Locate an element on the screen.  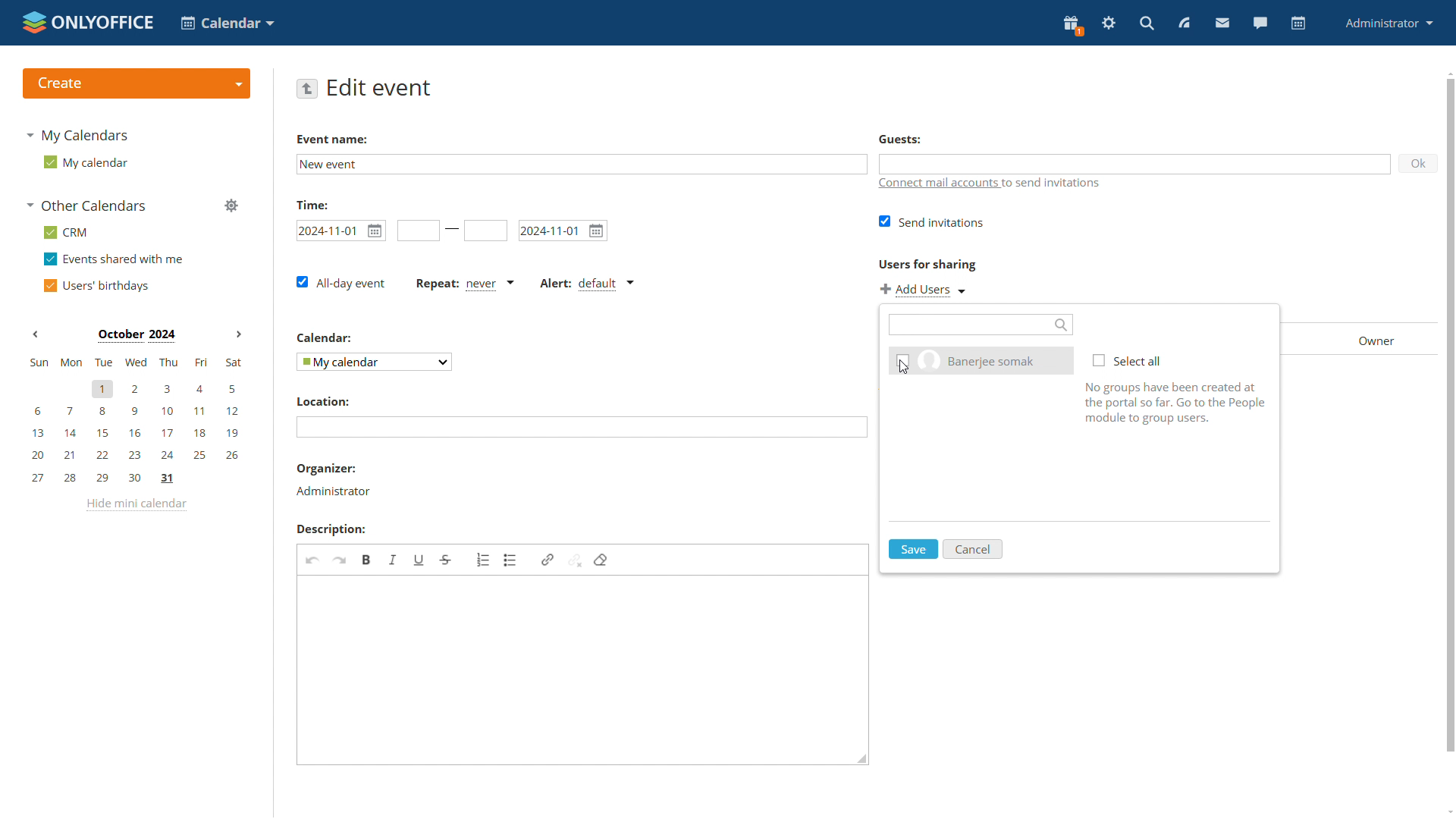
all-day event checkbox is located at coordinates (341, 281).